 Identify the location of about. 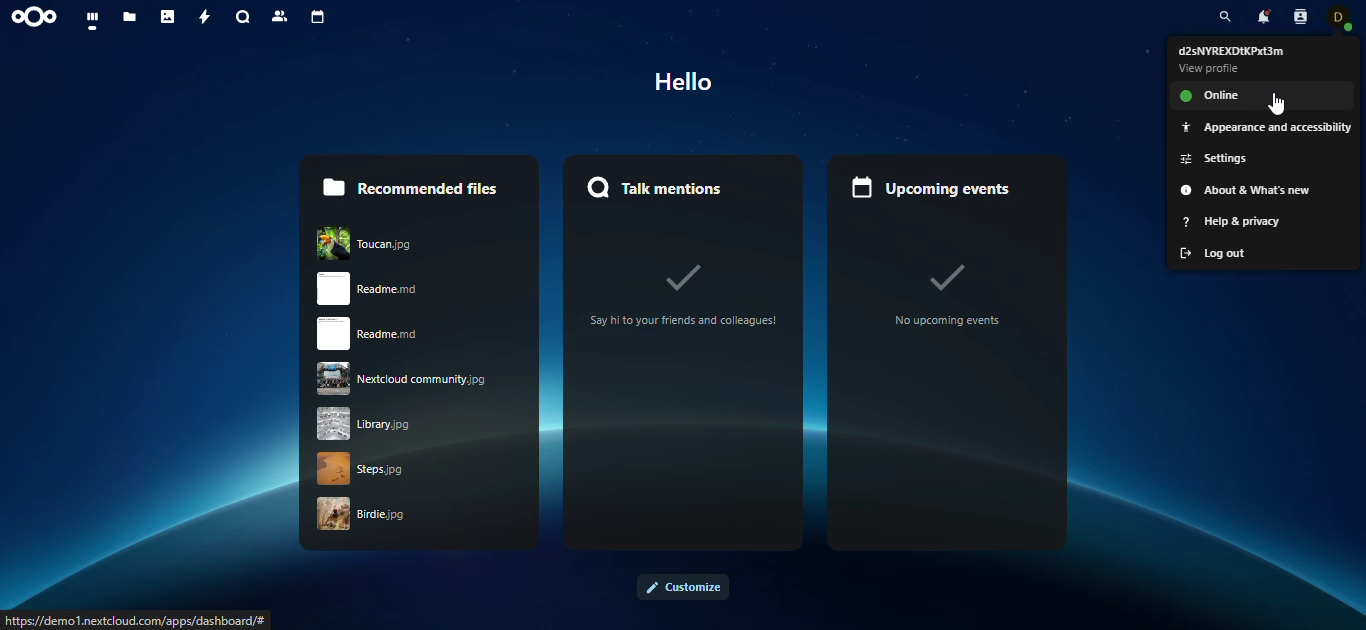
(1247, 190).